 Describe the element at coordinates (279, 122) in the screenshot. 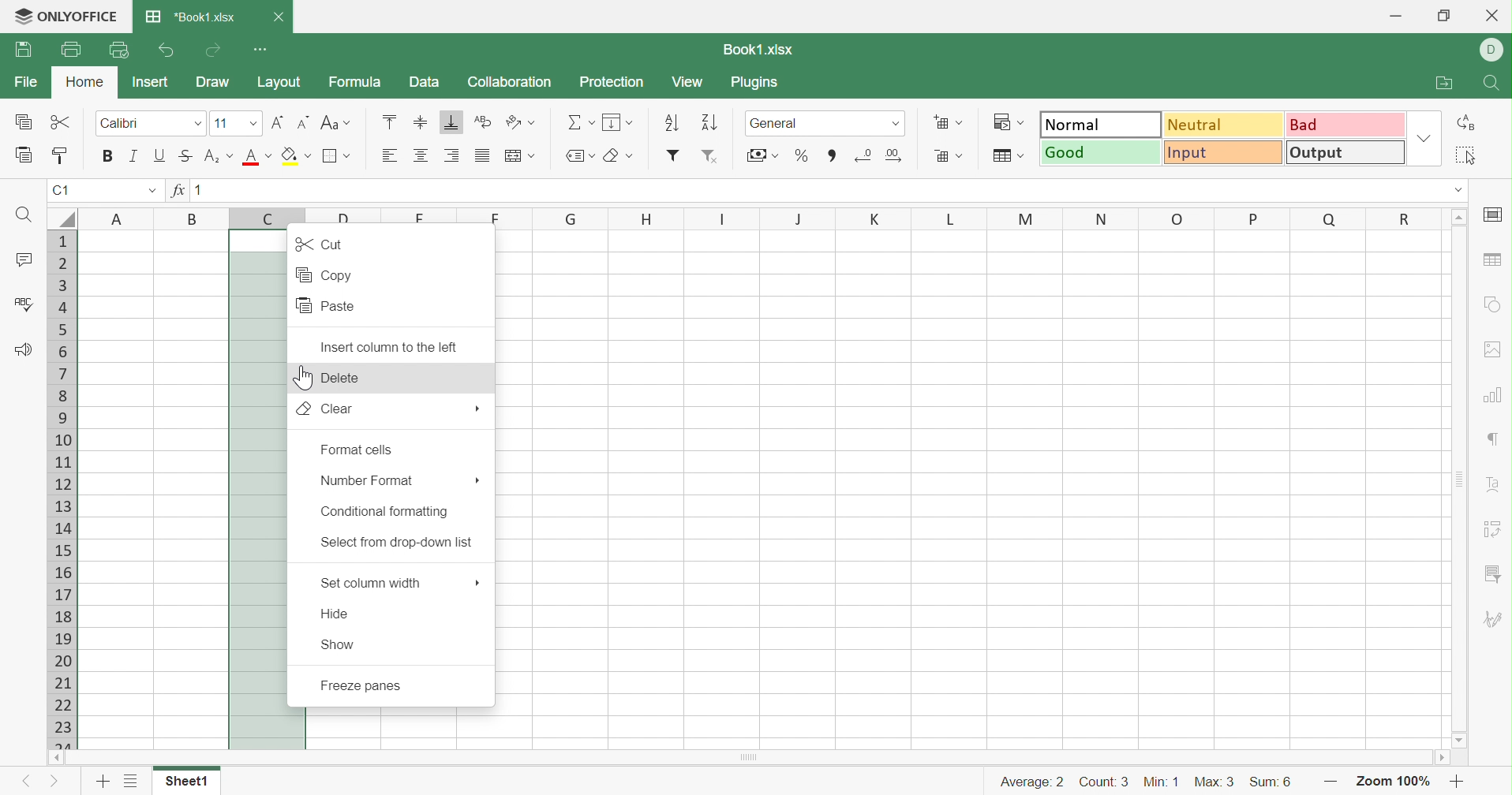

I see `Increment font size` at that location.